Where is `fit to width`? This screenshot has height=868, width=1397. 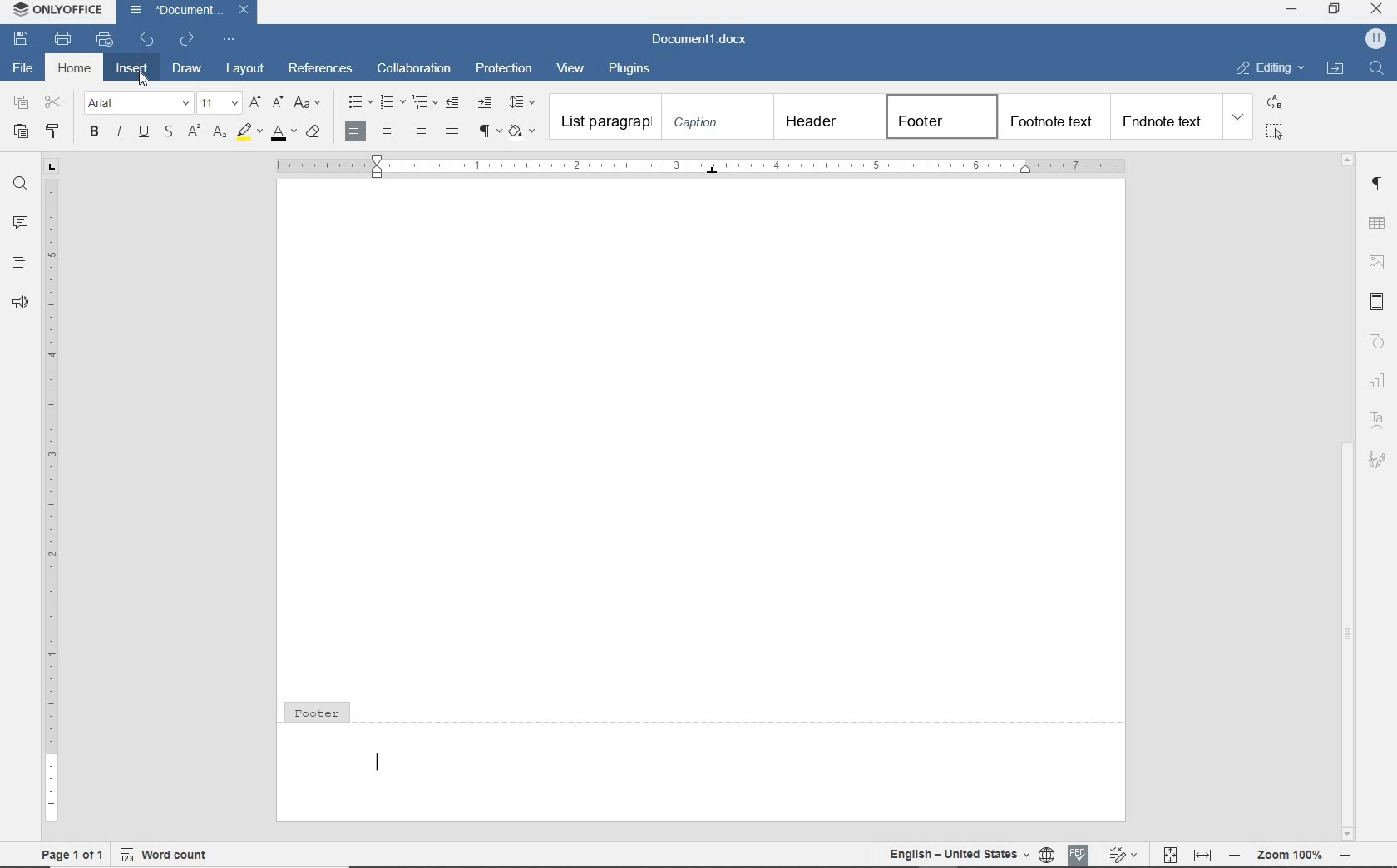
fit to width is located at coordinates (1203, 856).